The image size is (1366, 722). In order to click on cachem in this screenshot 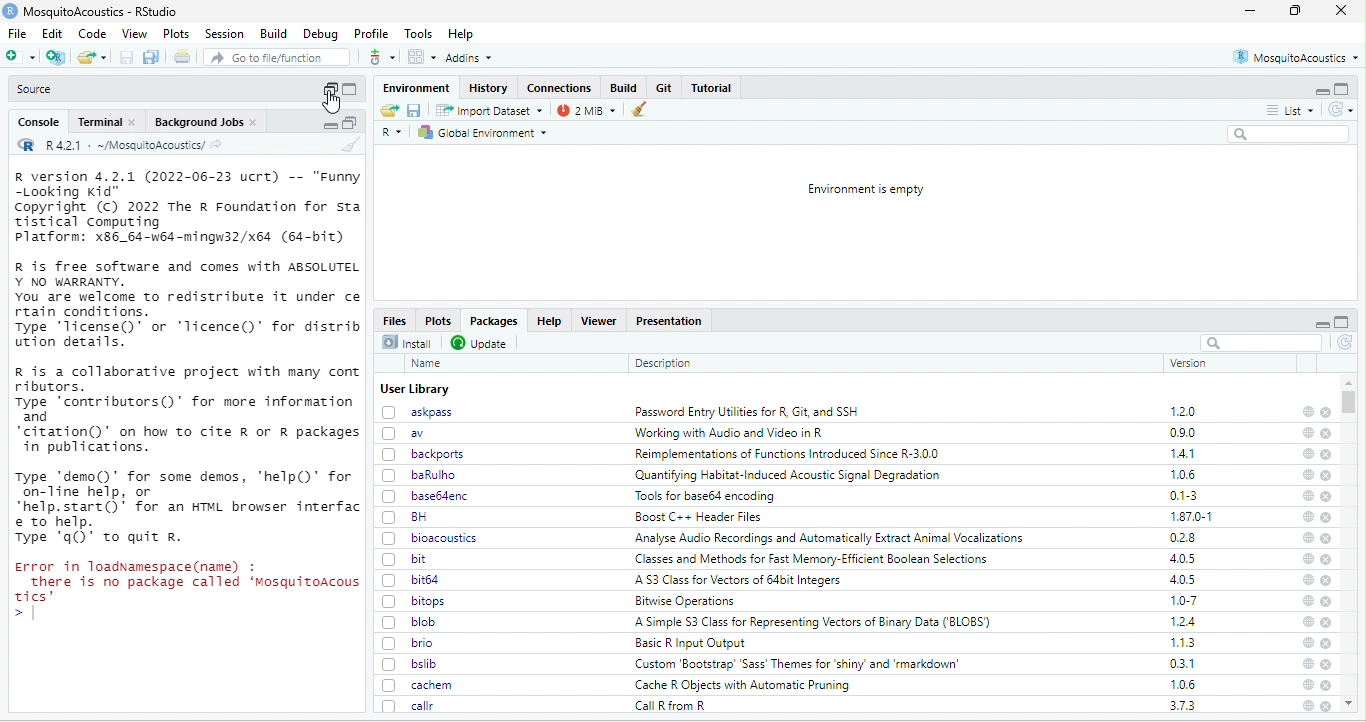, I will do `click(416, 685)`.